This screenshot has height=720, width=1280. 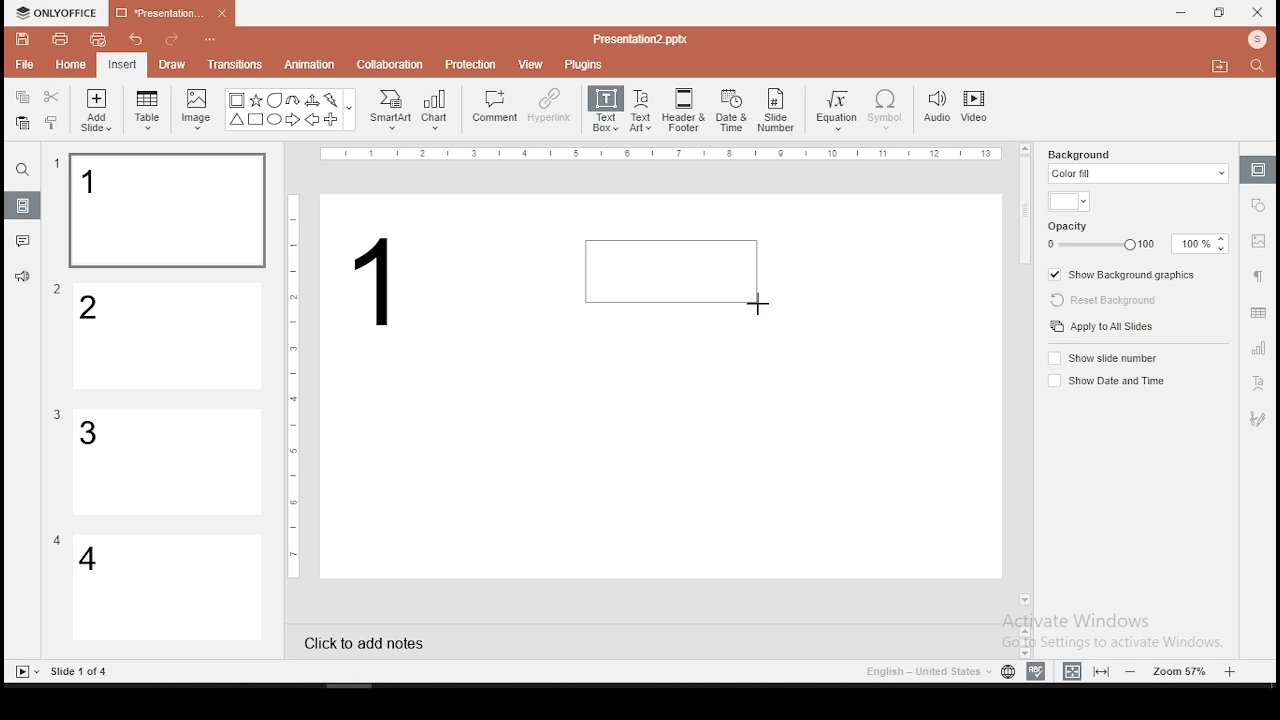 What do you see at coordinates (532, 63) in the screenshot?
I see `view` at bounding box center [532, 63].